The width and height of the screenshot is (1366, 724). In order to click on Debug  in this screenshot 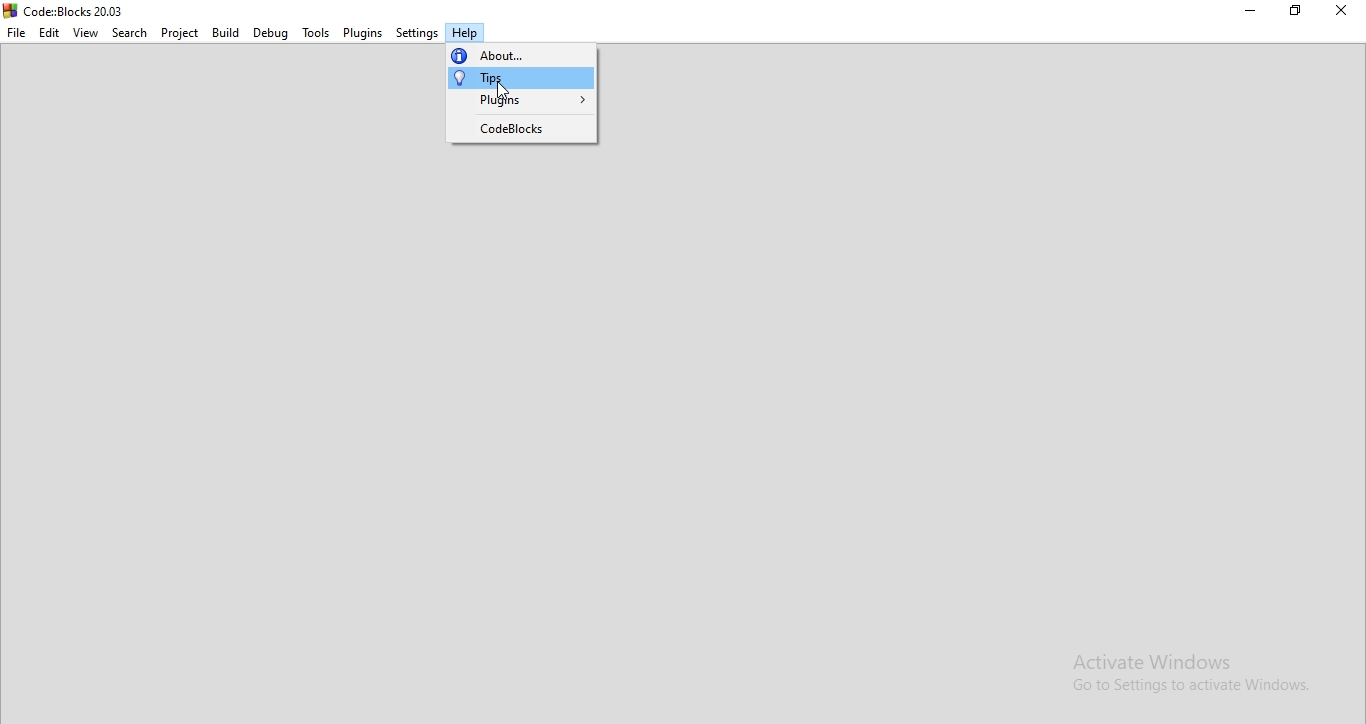, I will do `click(270, 34)`.